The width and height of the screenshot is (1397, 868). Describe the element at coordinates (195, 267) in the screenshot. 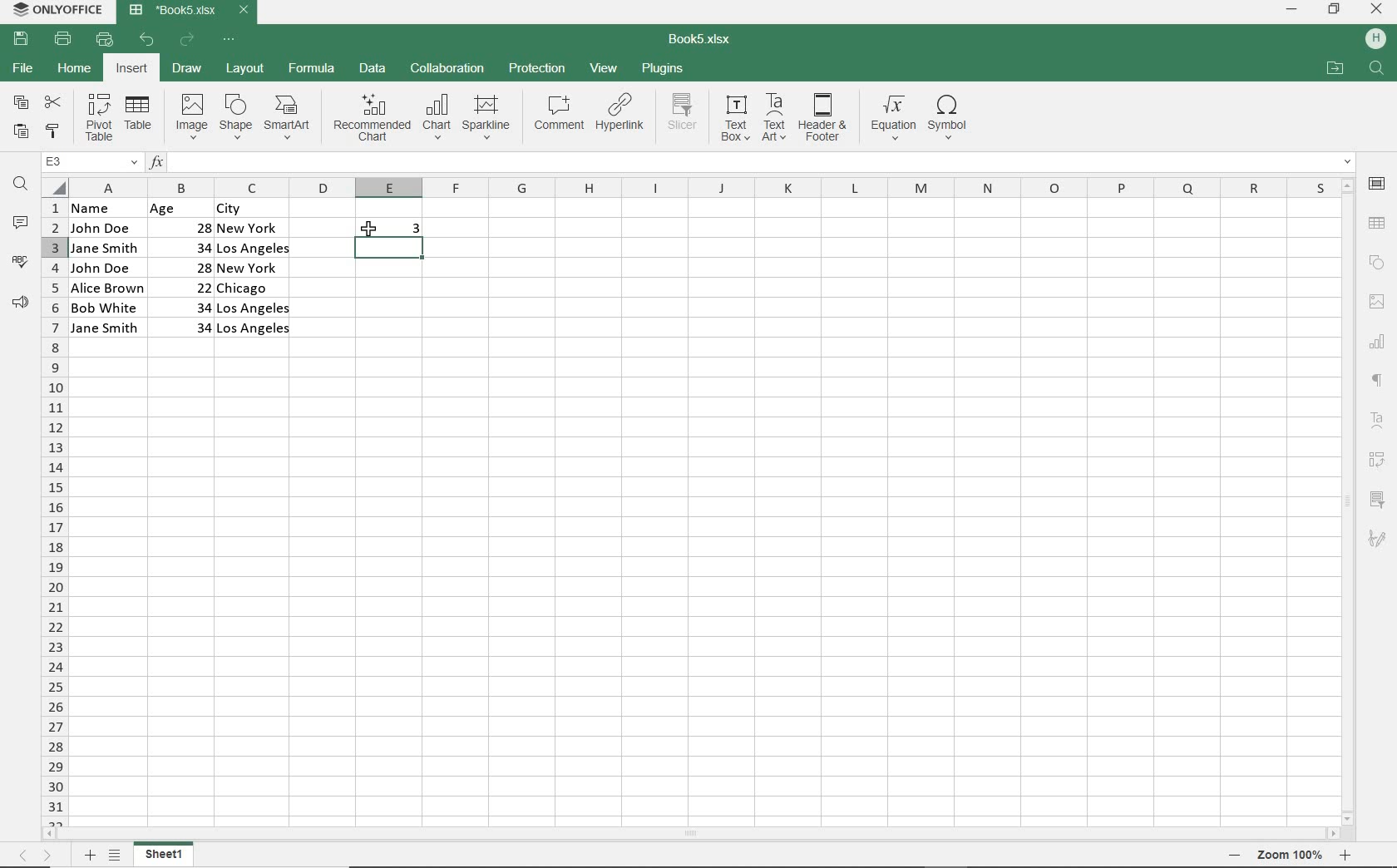

I see `28` at that location.